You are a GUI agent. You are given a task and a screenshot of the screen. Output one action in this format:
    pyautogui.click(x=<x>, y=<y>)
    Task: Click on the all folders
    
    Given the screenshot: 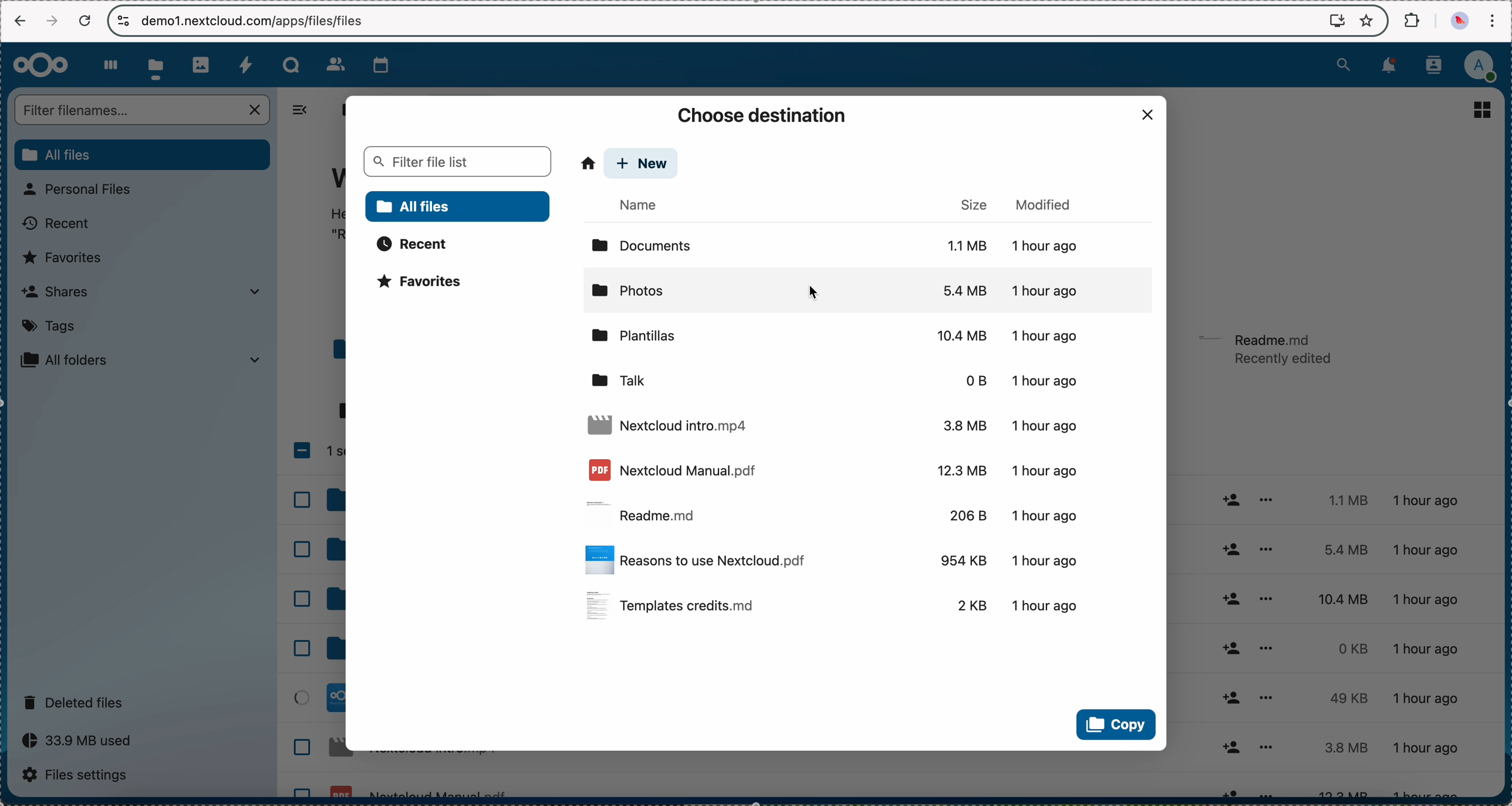 What is the action you would take?
    pyautogui.click(x=141, y=361)
    